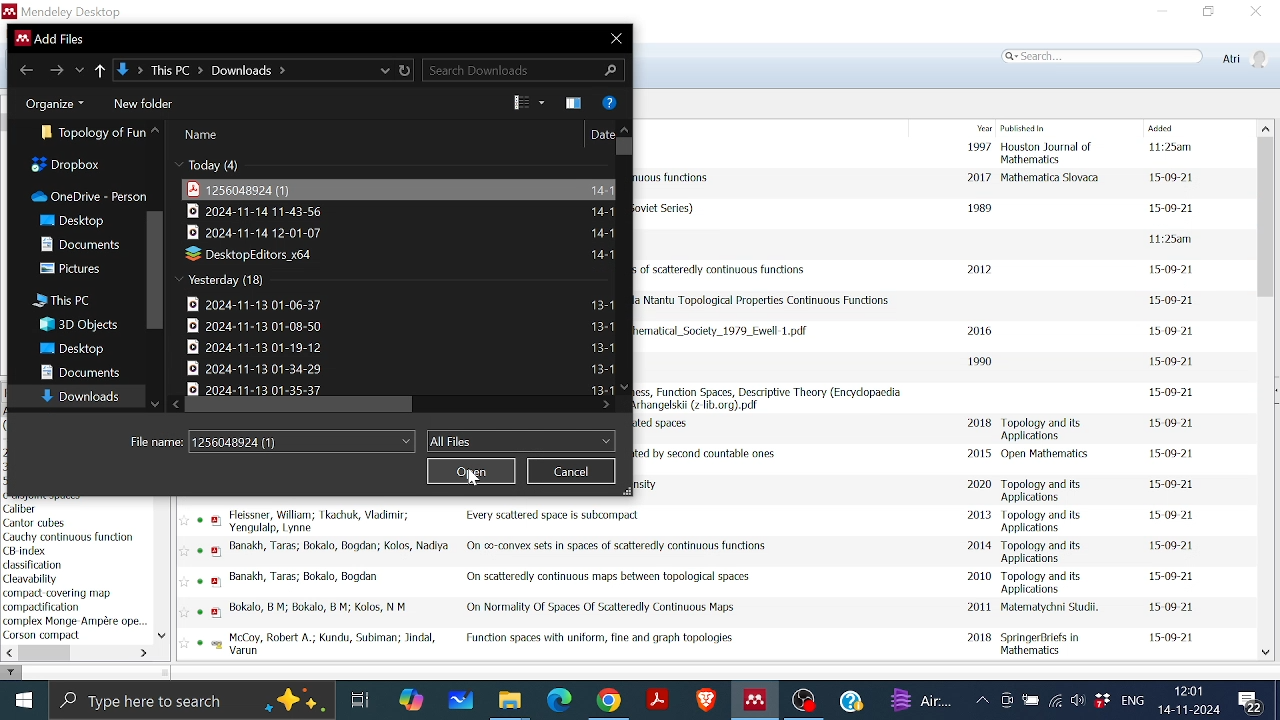 The image size is (1280, 720). I want to click on File Name, so click(156, 441).